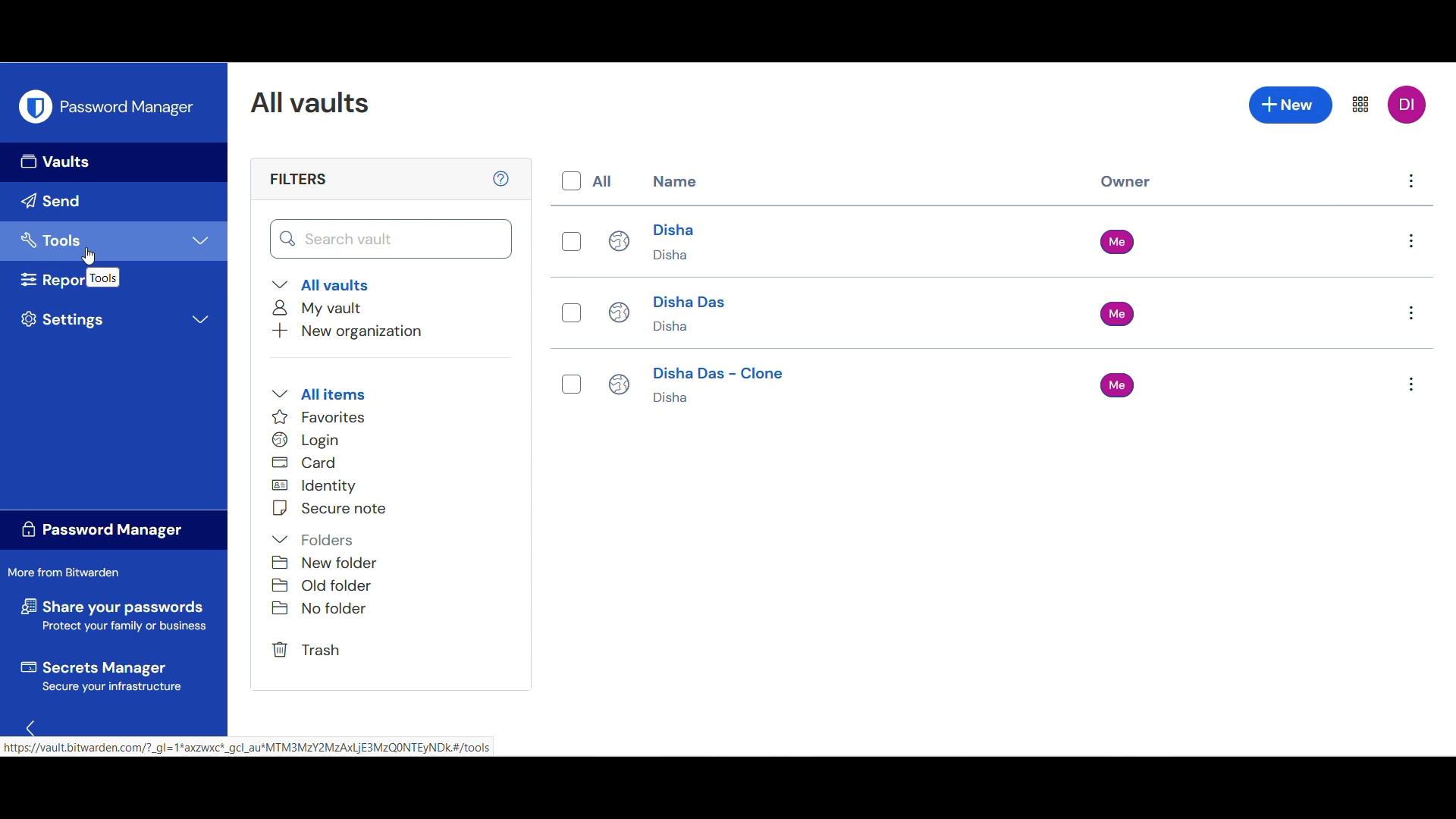  What do you see at coordinates (572, 384) in the screenshot?
I see `Toggle on/off for Disha Das - Clone` at bounding box center [572, 384].